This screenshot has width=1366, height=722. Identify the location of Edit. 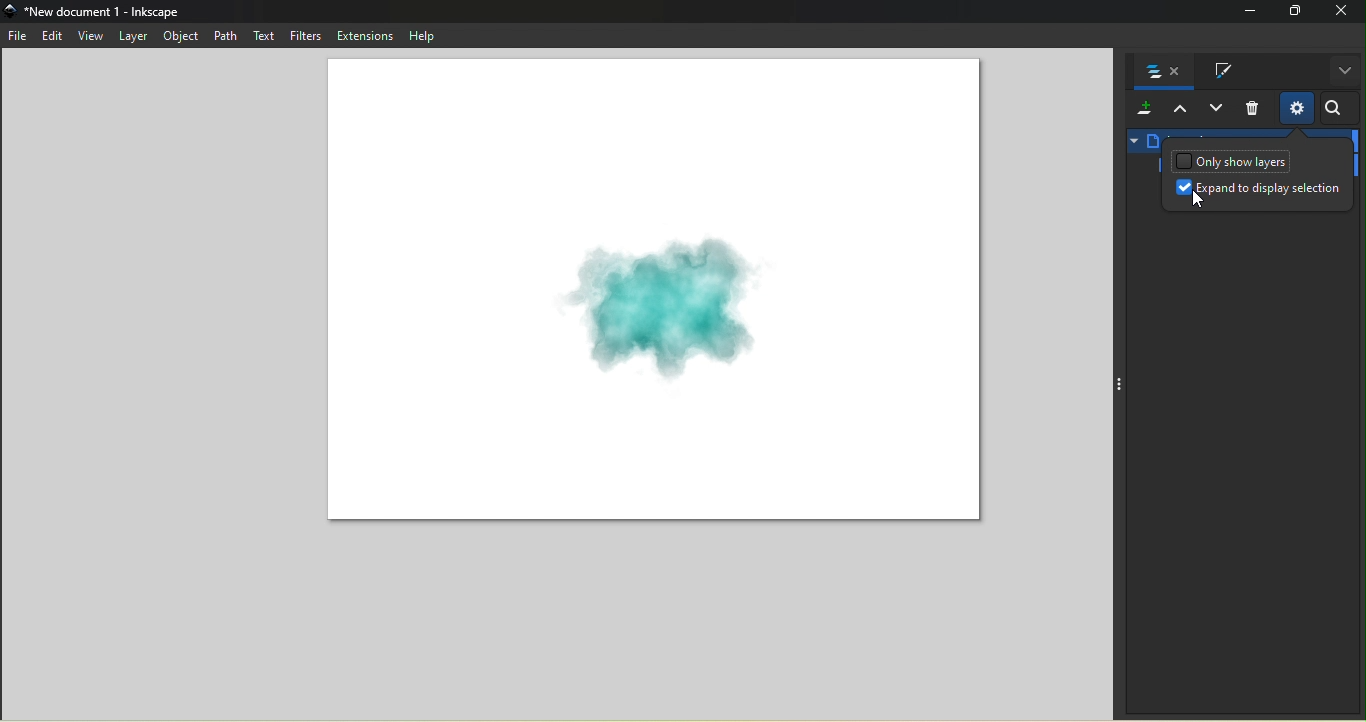
(52, 36).